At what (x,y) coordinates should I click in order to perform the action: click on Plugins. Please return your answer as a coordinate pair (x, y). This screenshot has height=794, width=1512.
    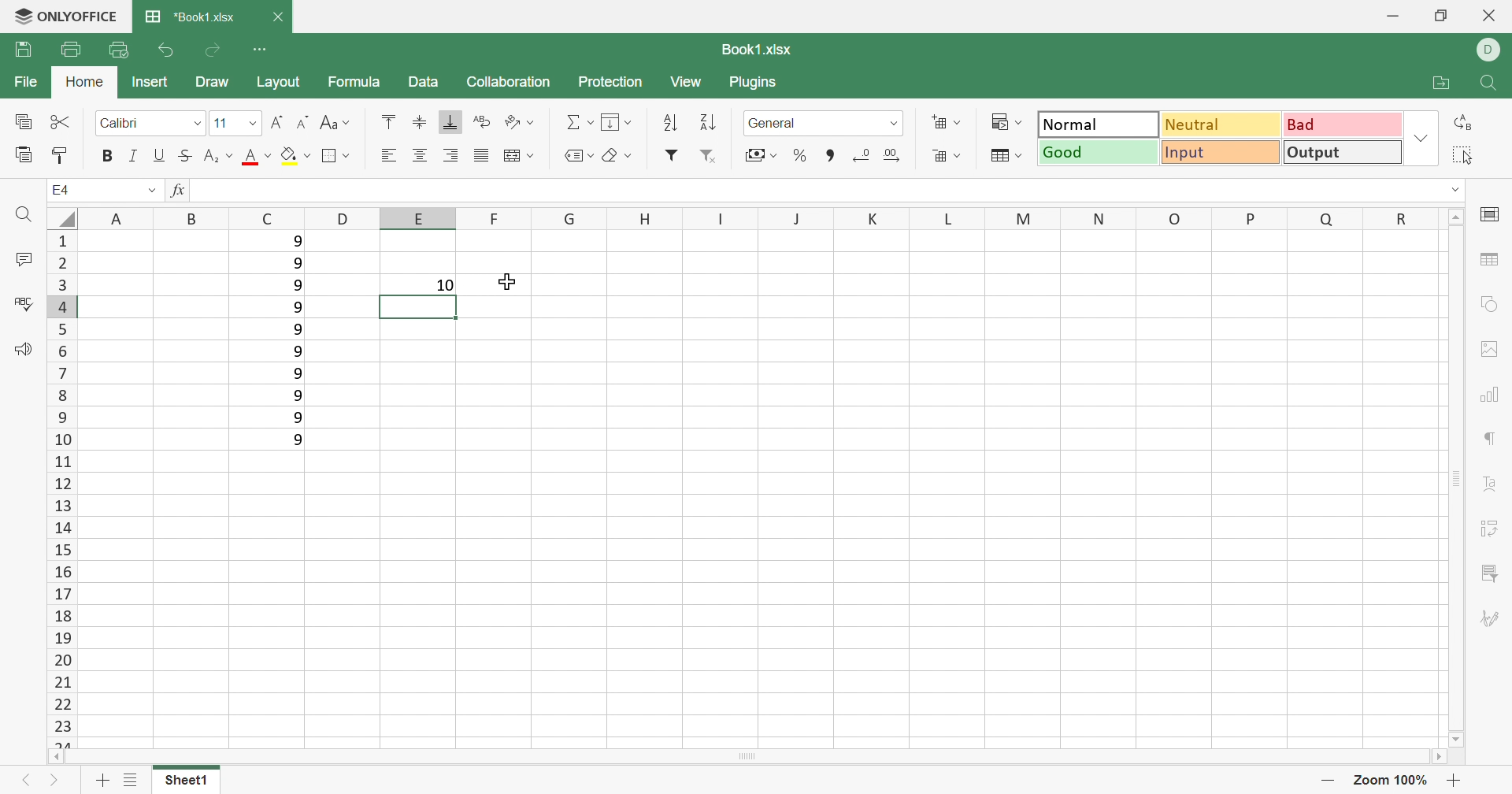
    Looking at the image, I should click on (758, 85).